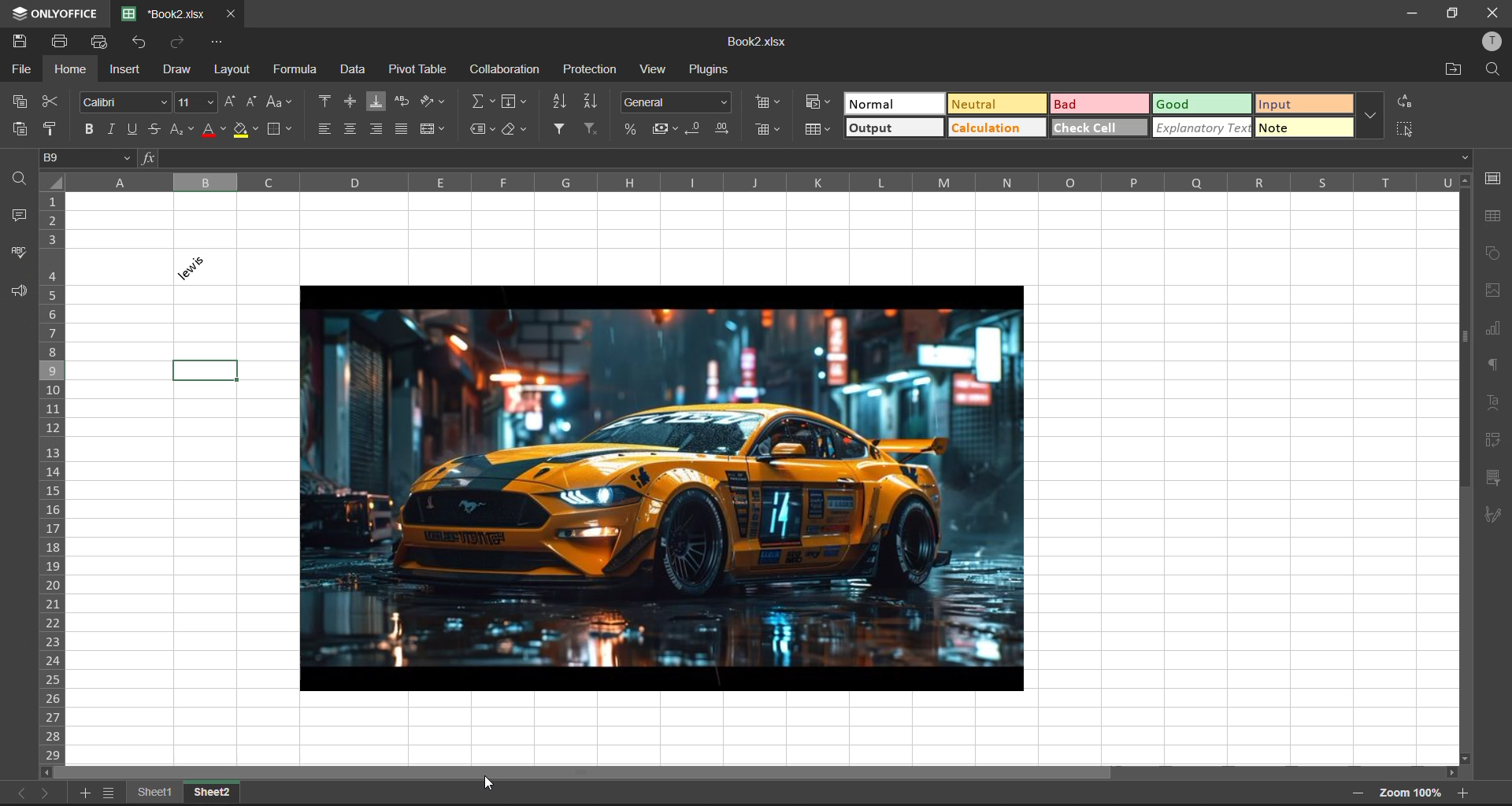 The height and width of the screenshot is (806, 1512). What do you see at coordinates (1451, 13) in the screenshot?
I see `maximize` at bounding box center [1451, 13].